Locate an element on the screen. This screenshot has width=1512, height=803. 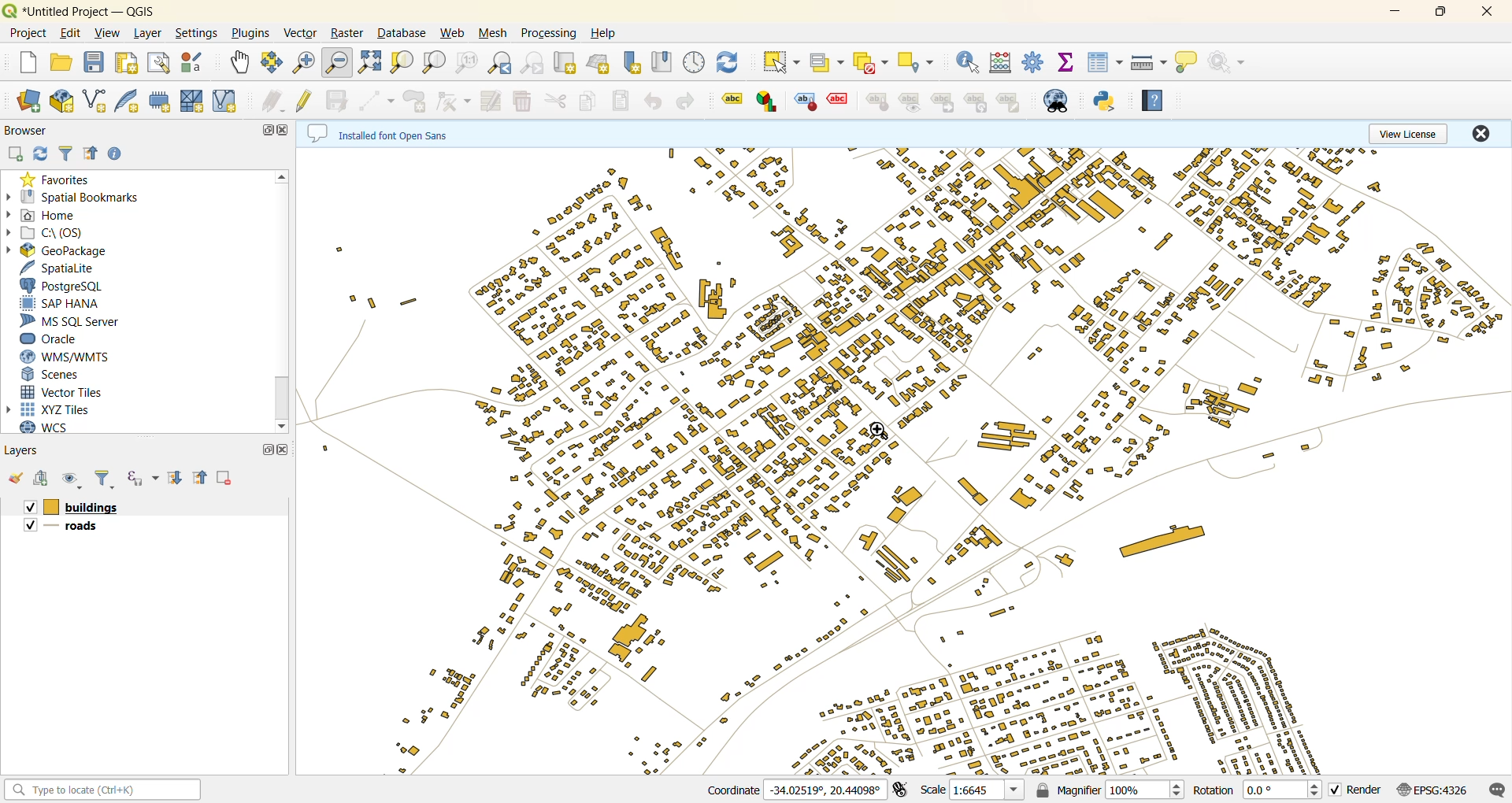
add is located at coordinates (17, 152).